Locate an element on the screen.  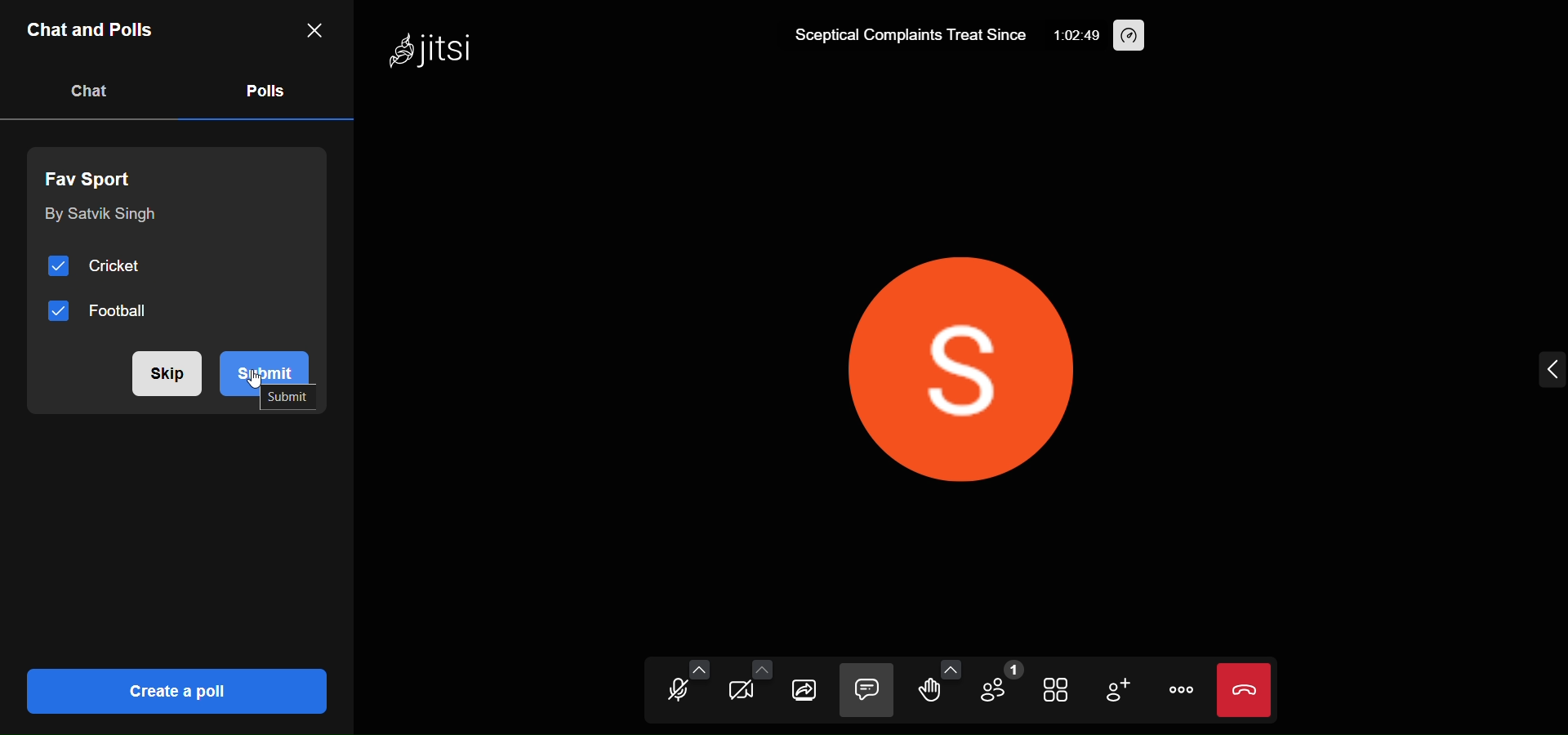
create a poll is located at coordinates (173, 690).